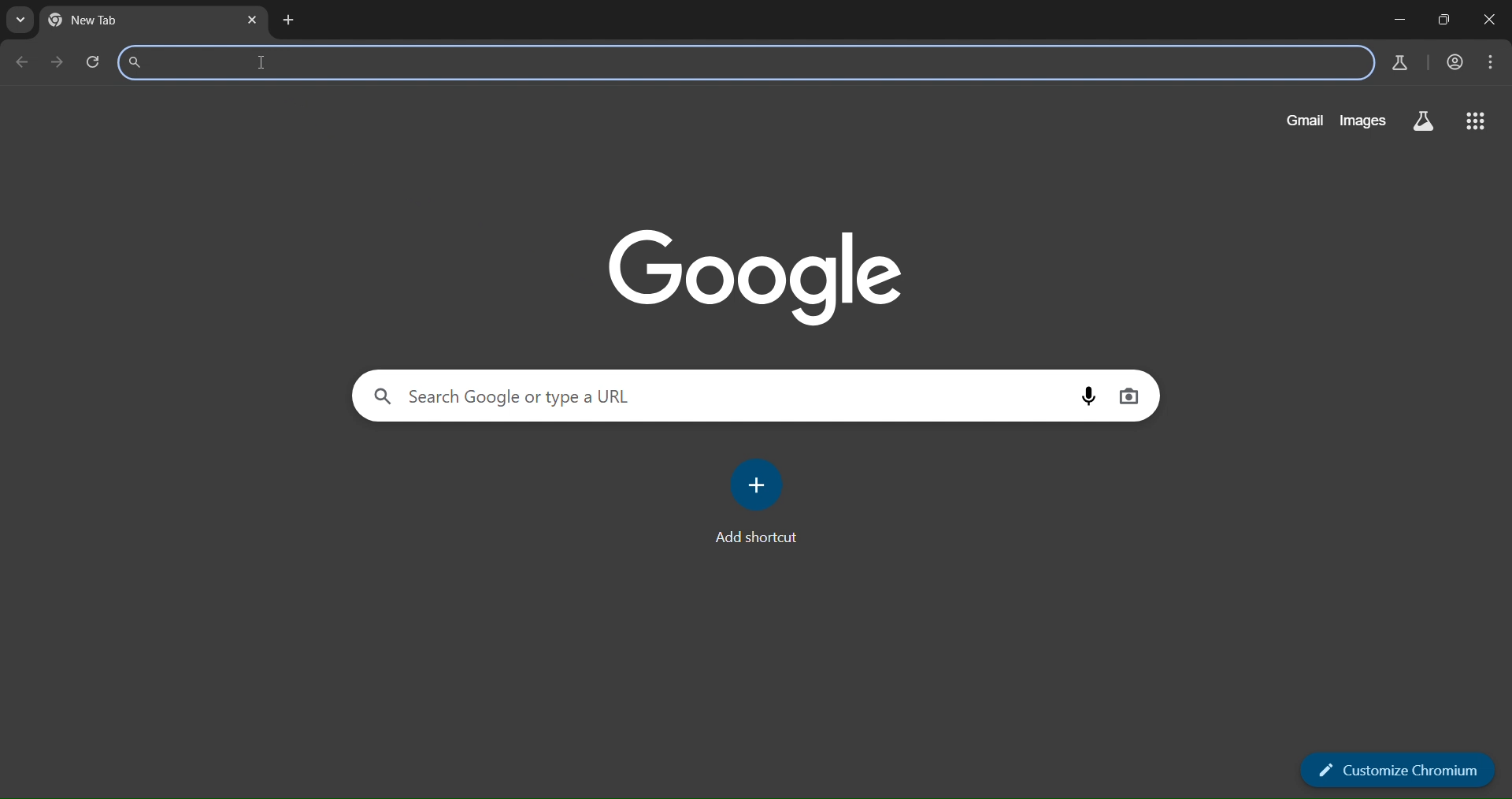 The width and height of the screenshot is (1512, 799). Describe the element at coordinates (1362, 121) in the screenshot. I see `images` at that location.